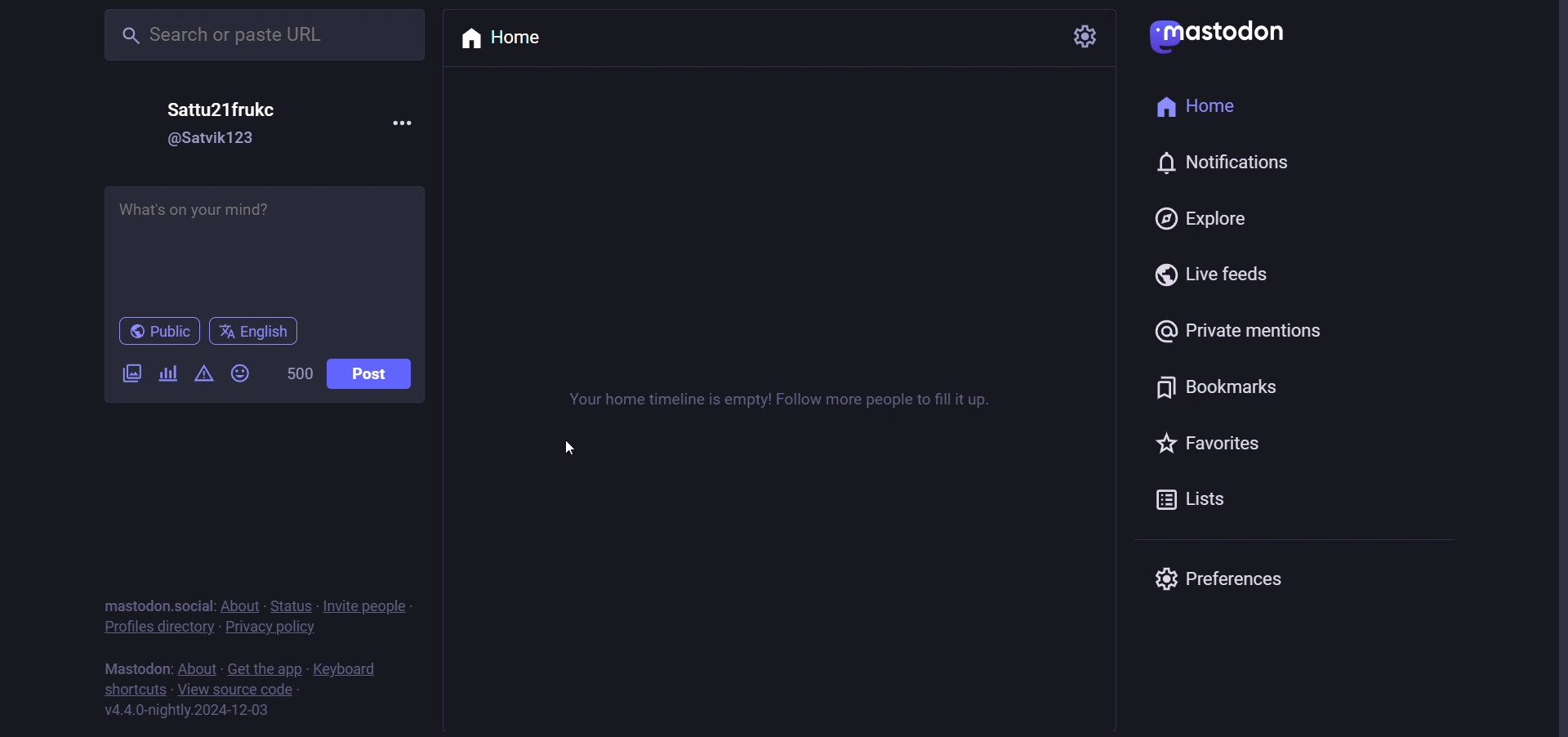  Describe the element at coordinates (258, 35) in the screenshot. I see `search` at that location.